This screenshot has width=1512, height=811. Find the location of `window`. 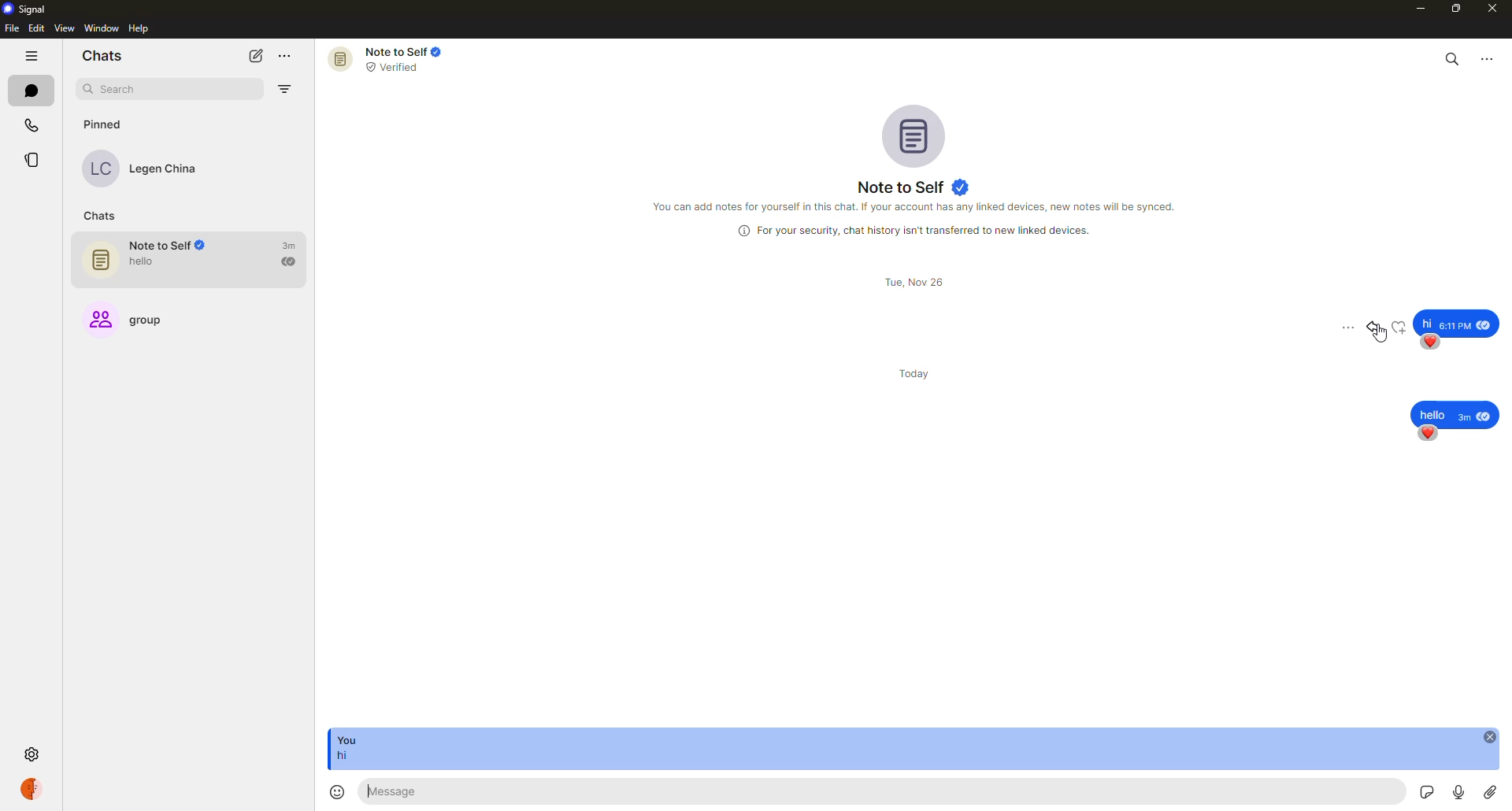

window is located at coordinates (101, 28).